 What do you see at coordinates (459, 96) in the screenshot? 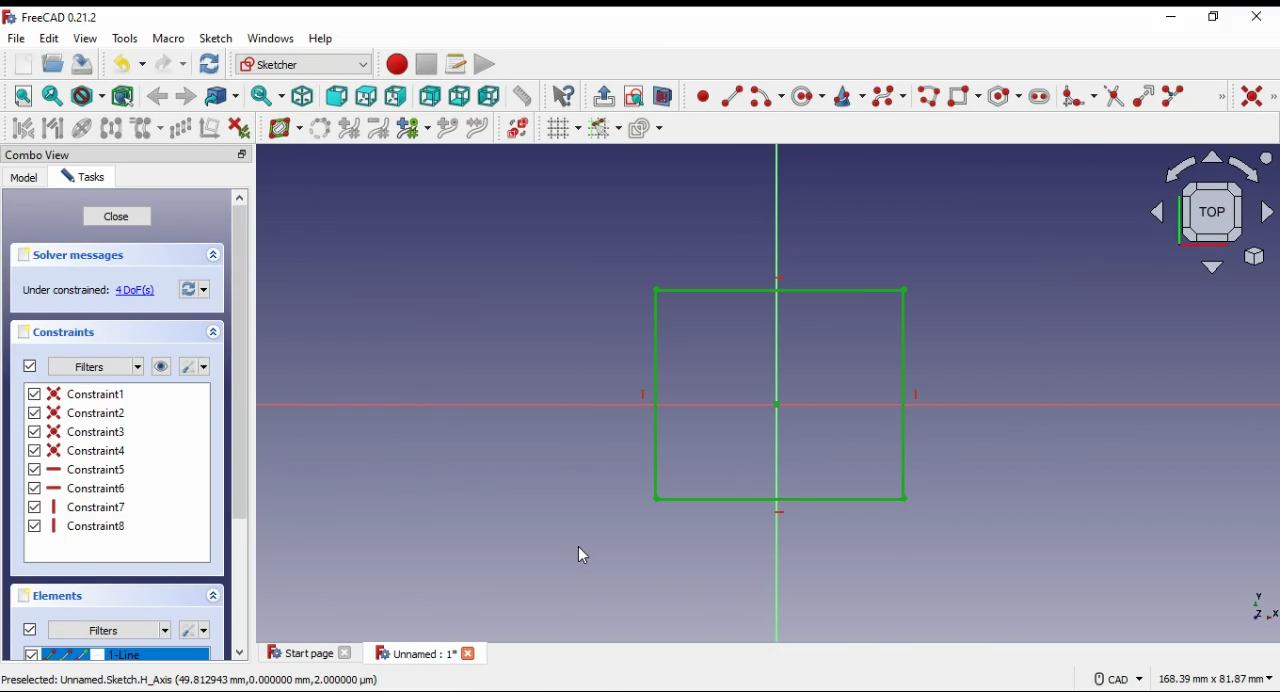
I see `bottom` at bounding box center [459, 96].